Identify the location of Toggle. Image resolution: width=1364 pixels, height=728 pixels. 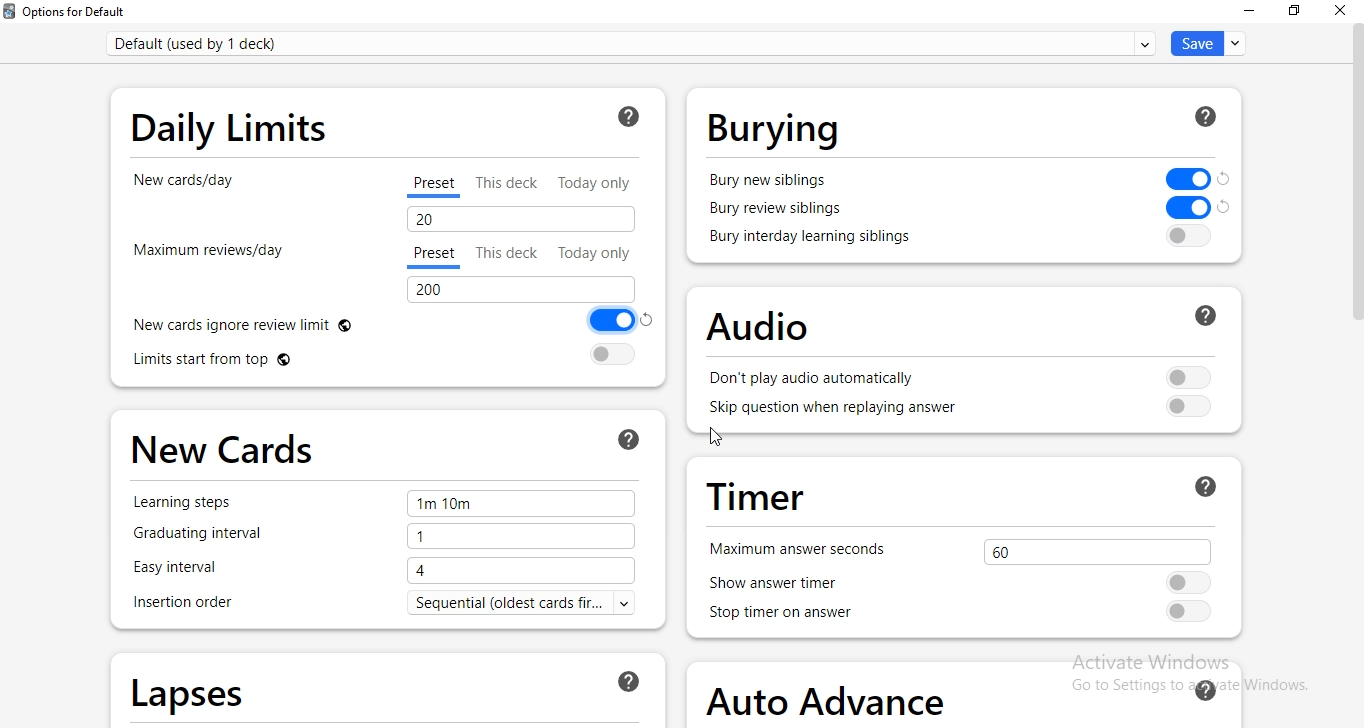
(601, 321).